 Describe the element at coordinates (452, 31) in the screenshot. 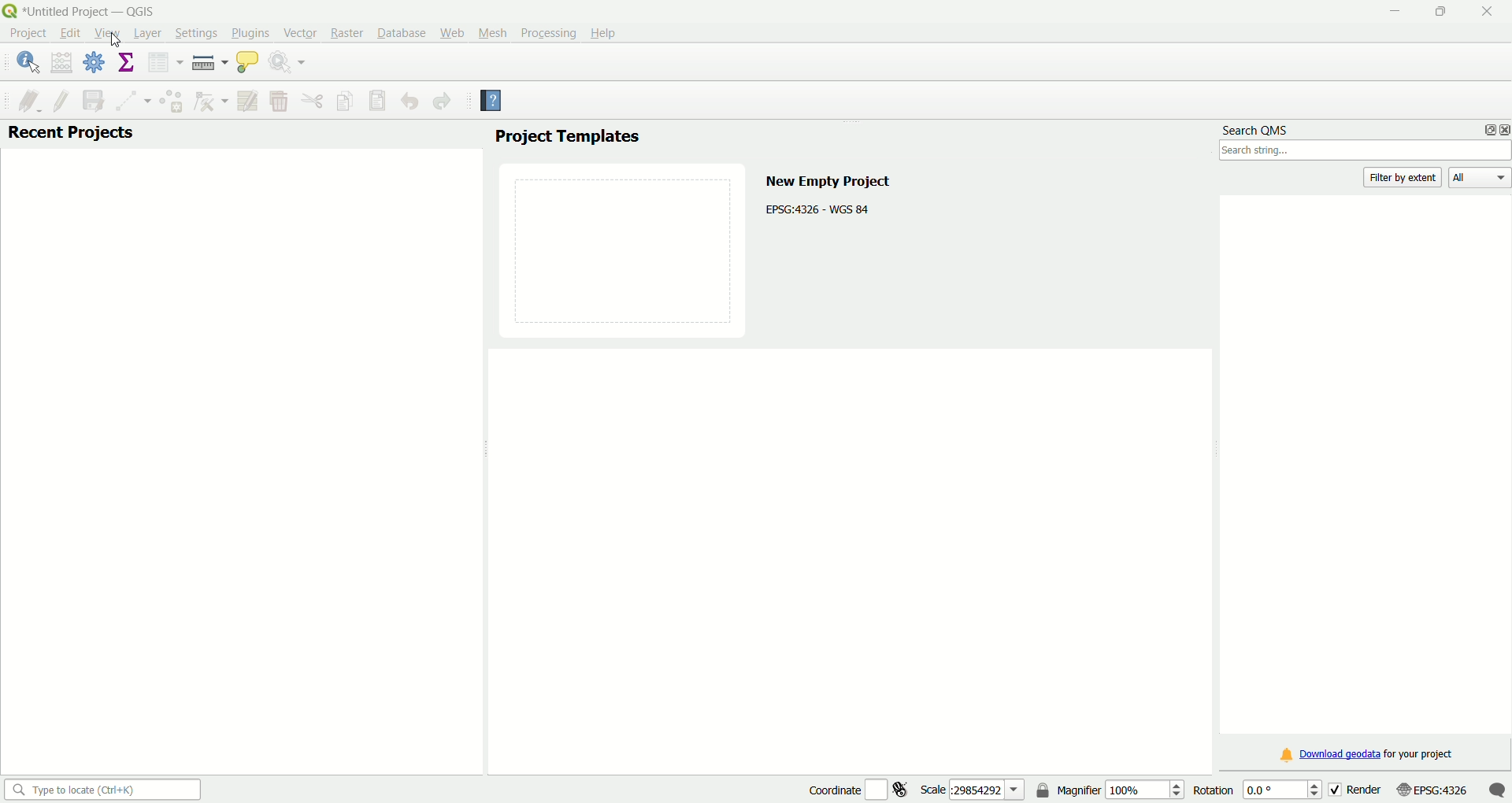

I see `Web` at that location.